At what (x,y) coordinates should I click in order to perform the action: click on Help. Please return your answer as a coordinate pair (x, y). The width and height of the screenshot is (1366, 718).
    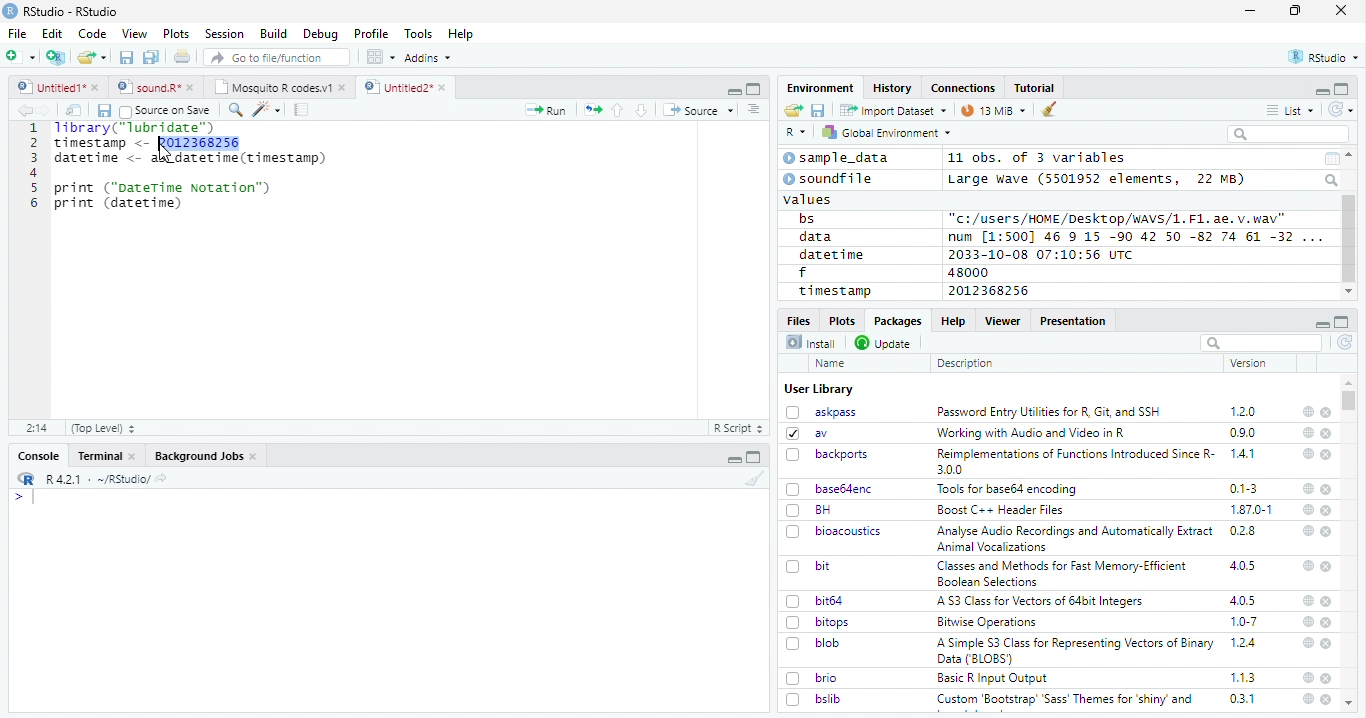
    Looking at the image, I should click on (952, 320).